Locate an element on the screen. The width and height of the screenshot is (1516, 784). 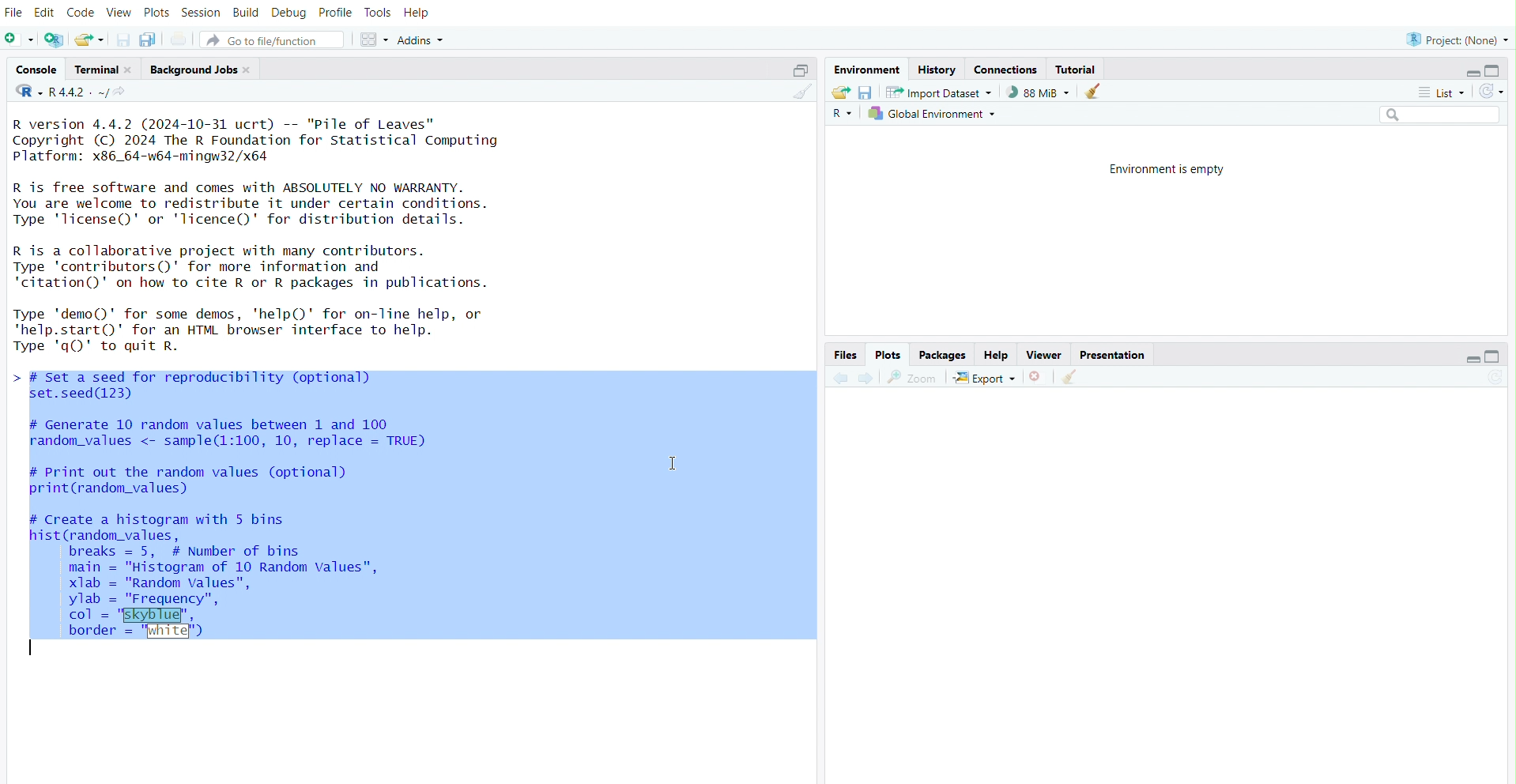
plots is located at coordinates (889, 355).